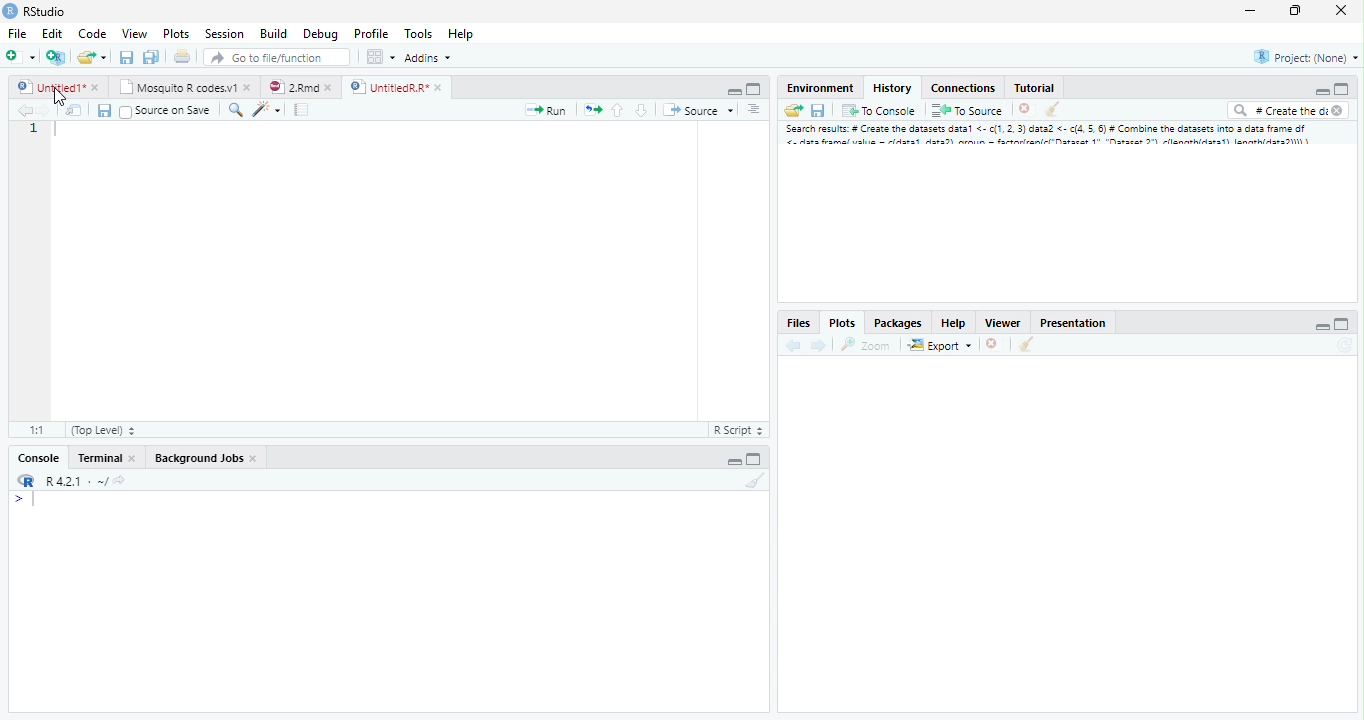 Image resolution: width=1364 pixels, height=720 pixels. What do you see at coordinates (126, 57) in the screenshot?
I see `Save` at bounding box center [126, 57].